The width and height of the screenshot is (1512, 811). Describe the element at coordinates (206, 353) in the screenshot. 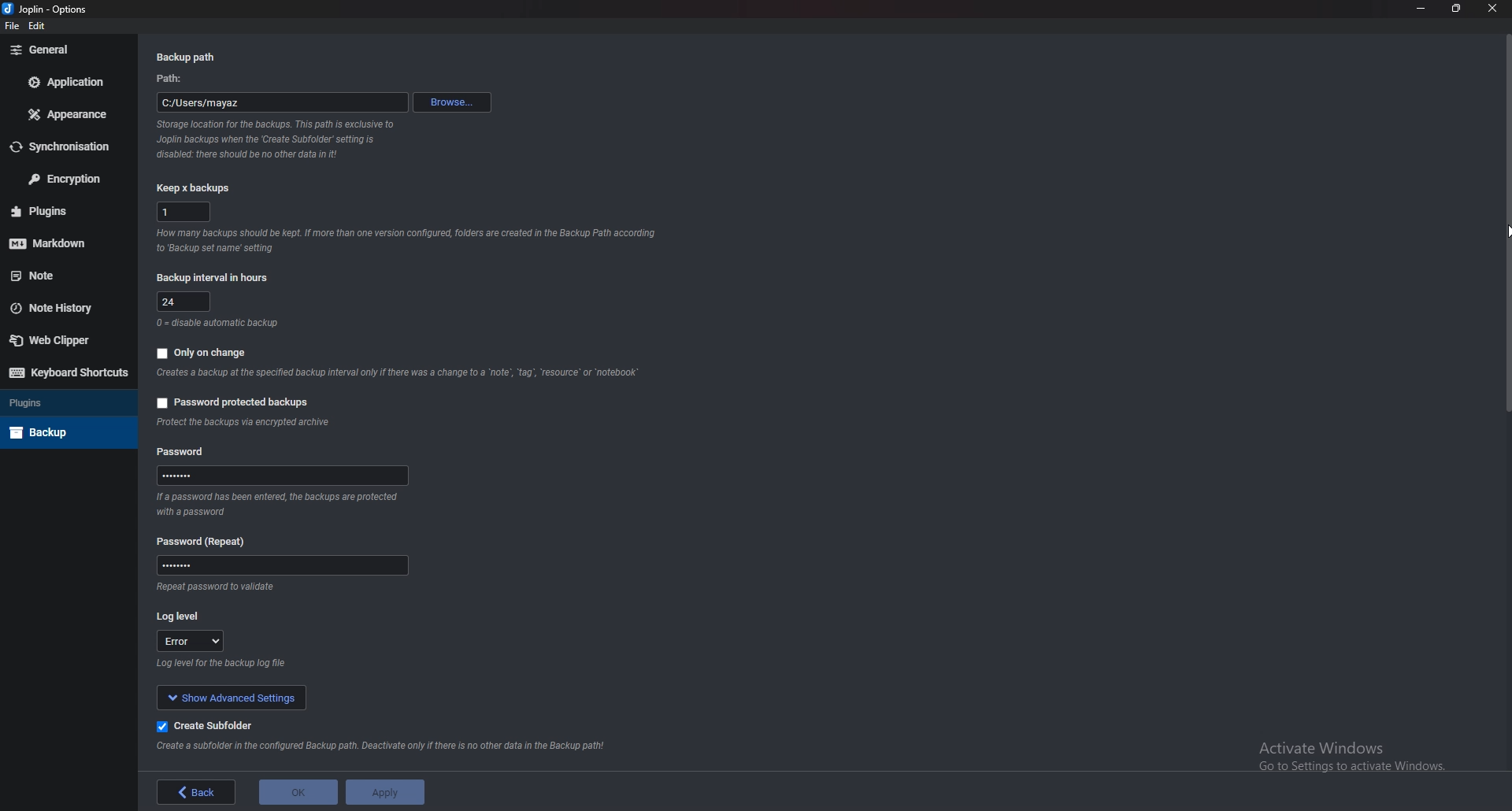

I see `Only on change` at that location.